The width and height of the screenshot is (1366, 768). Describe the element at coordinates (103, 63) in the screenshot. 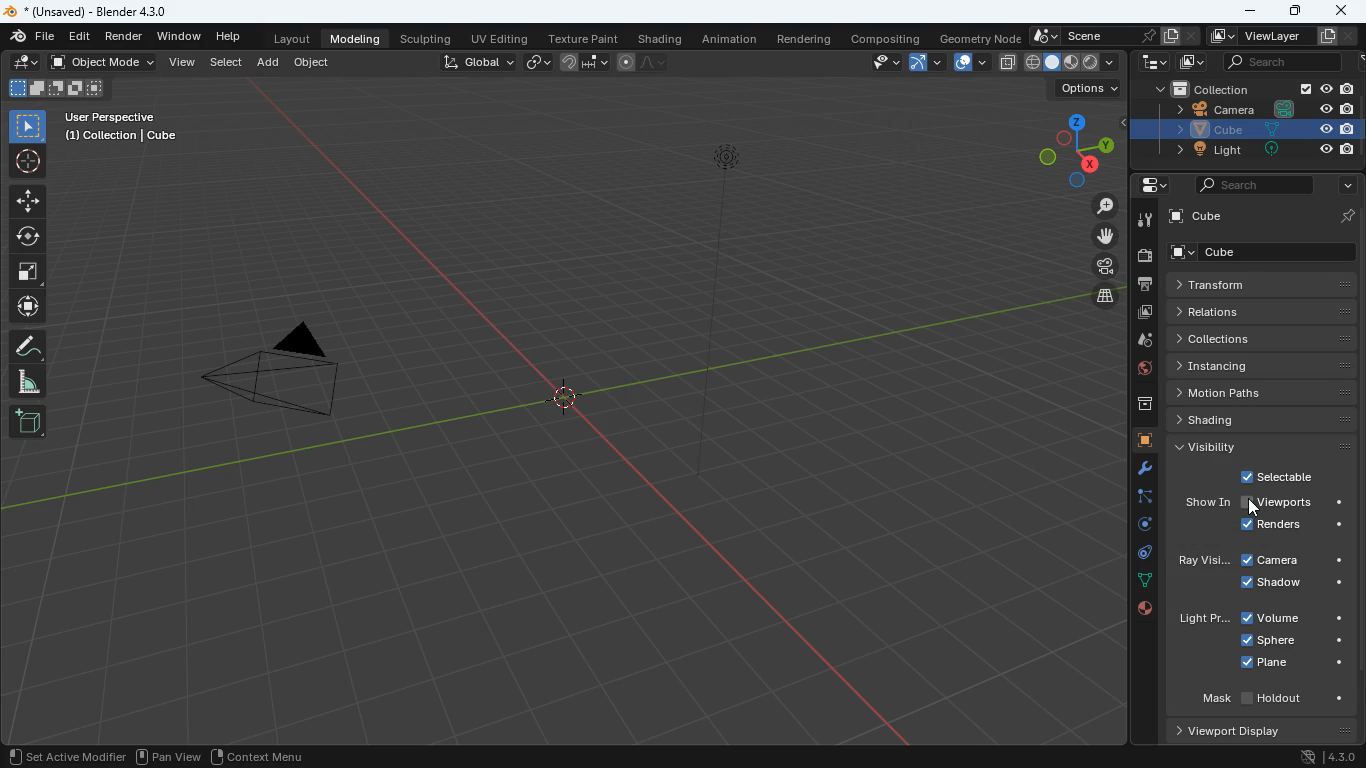

I see `object mode` at that location.